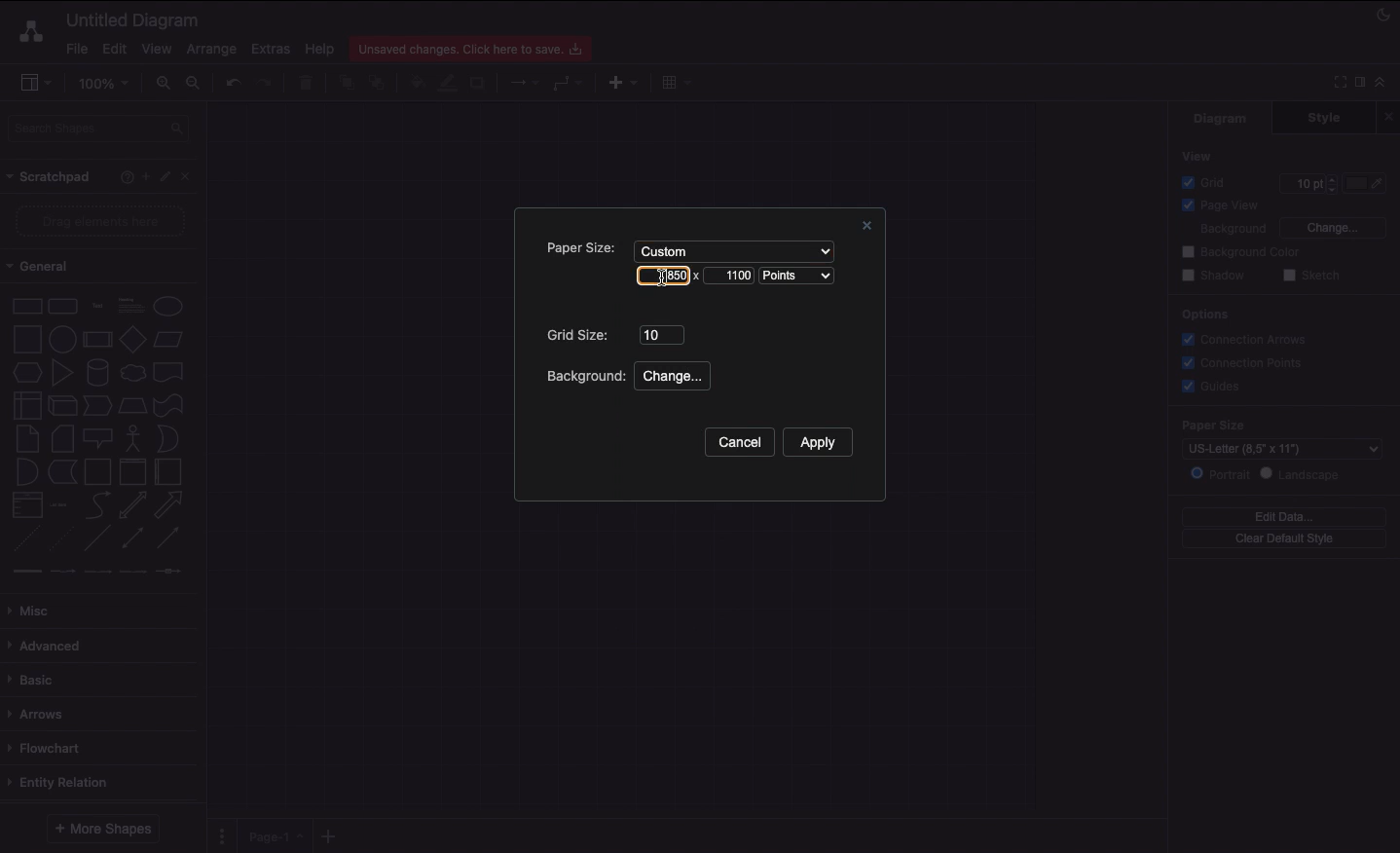  Describe the element at coordinates (35, 84) in the screenshot. I see `Sidebar ` at that location.